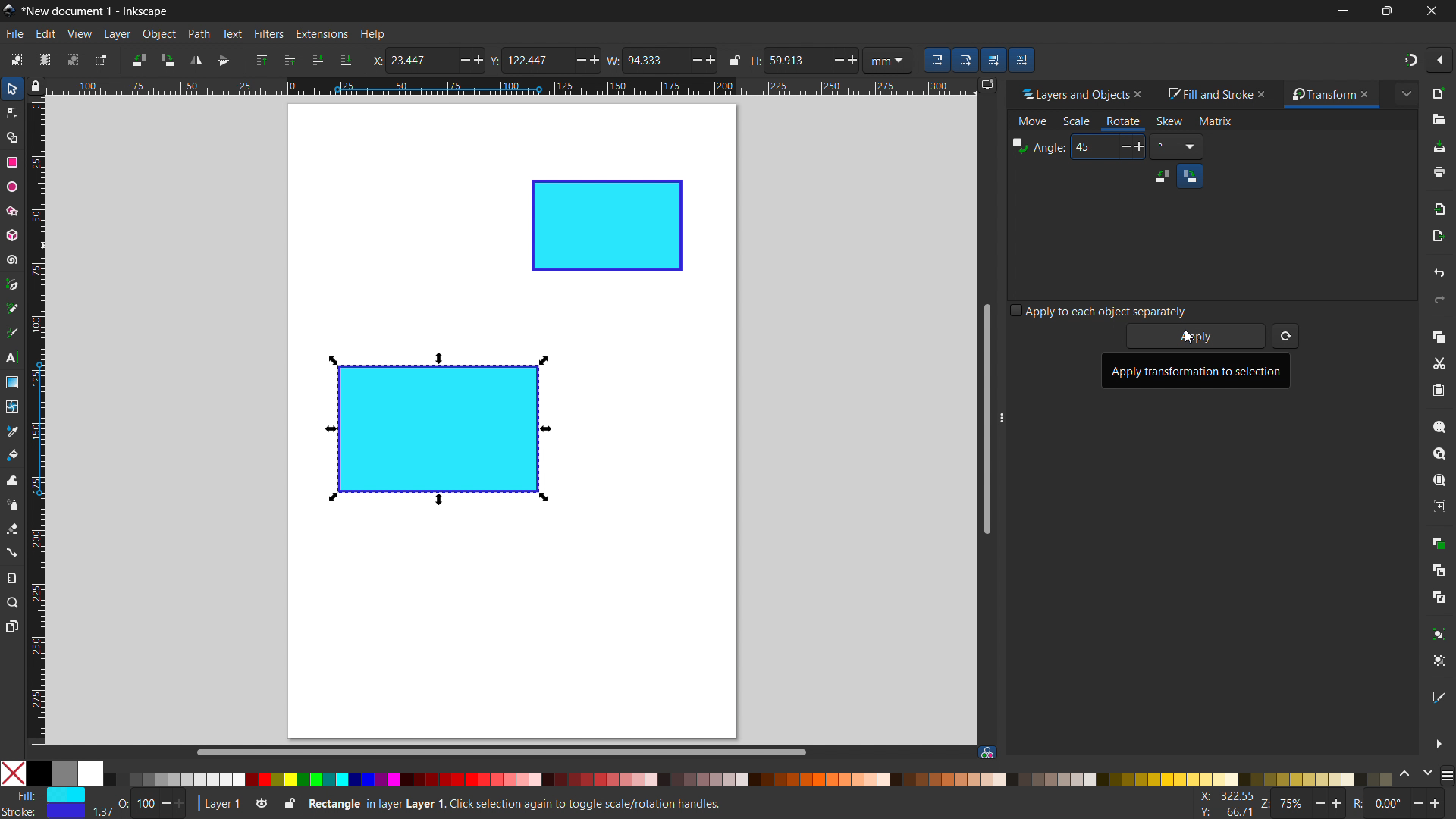 This screenshot has height=819, width=1456. I want to click on minus/ decrease, so click(458, 60).